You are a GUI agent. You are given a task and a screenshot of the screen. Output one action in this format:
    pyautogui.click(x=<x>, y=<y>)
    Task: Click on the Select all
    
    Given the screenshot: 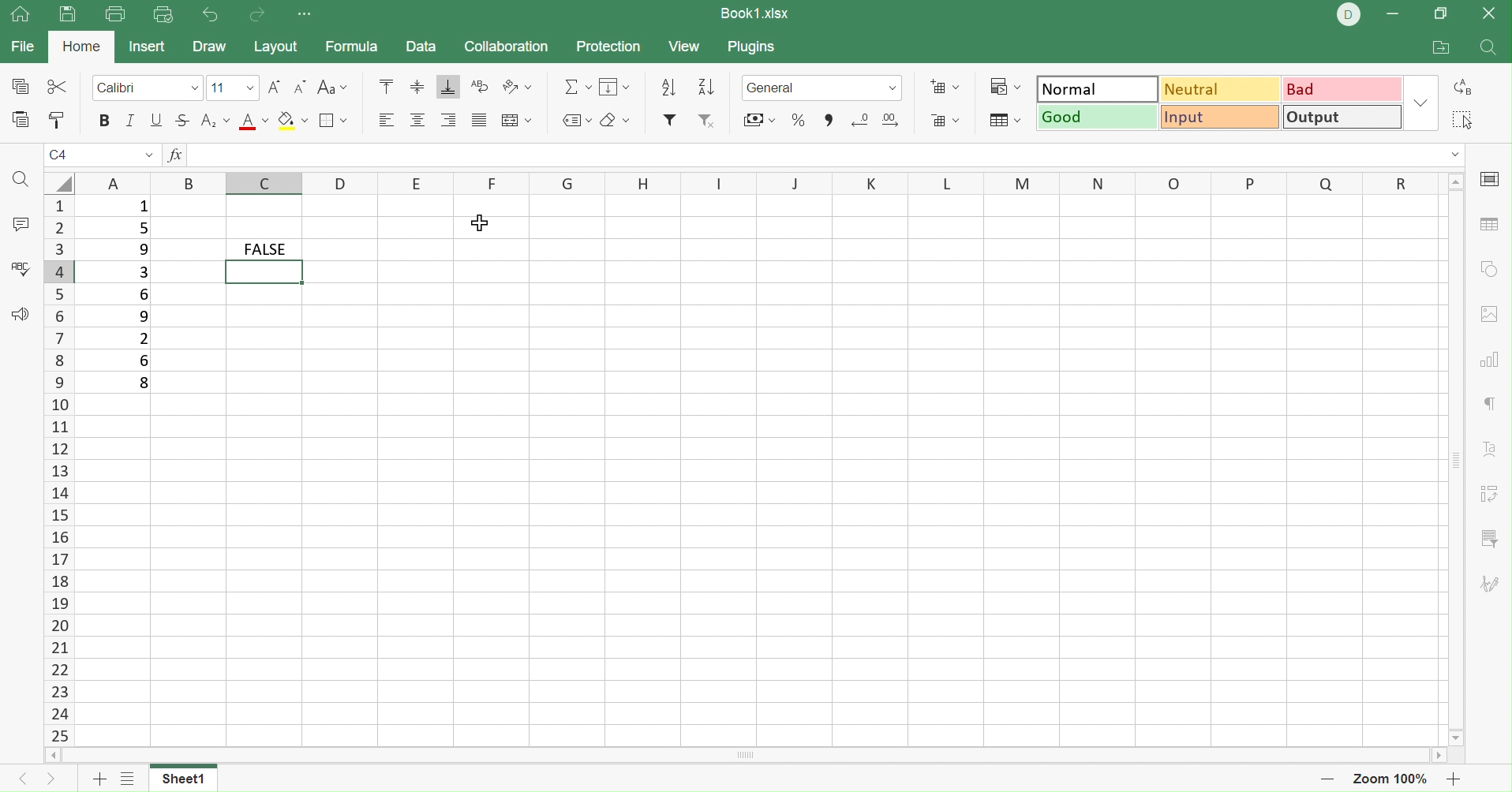 What is the action you would take?
    pyautogui.click(x=1459, y=117)
    